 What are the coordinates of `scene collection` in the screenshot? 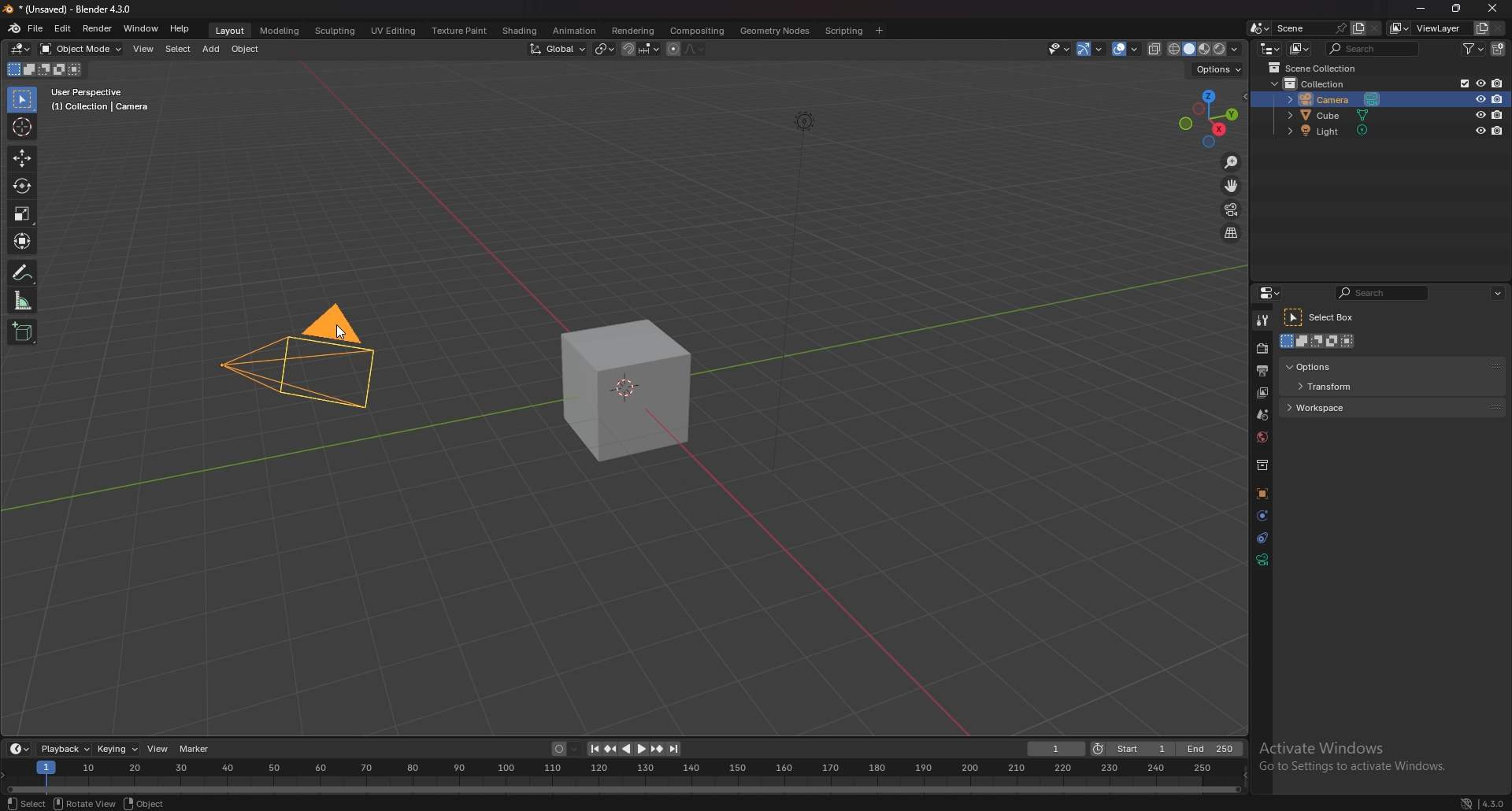 It's located at (1315, 67).